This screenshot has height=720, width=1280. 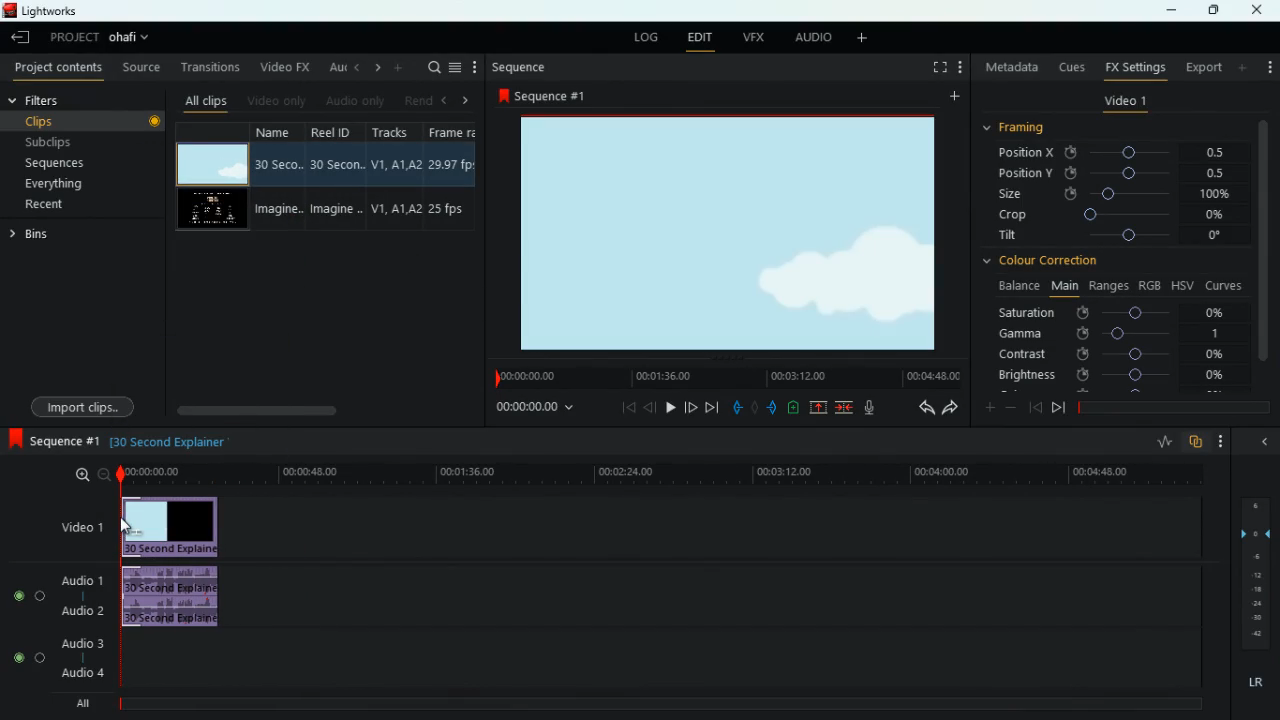 I want to click on 30 Seco.., so click(x=281, y=164).